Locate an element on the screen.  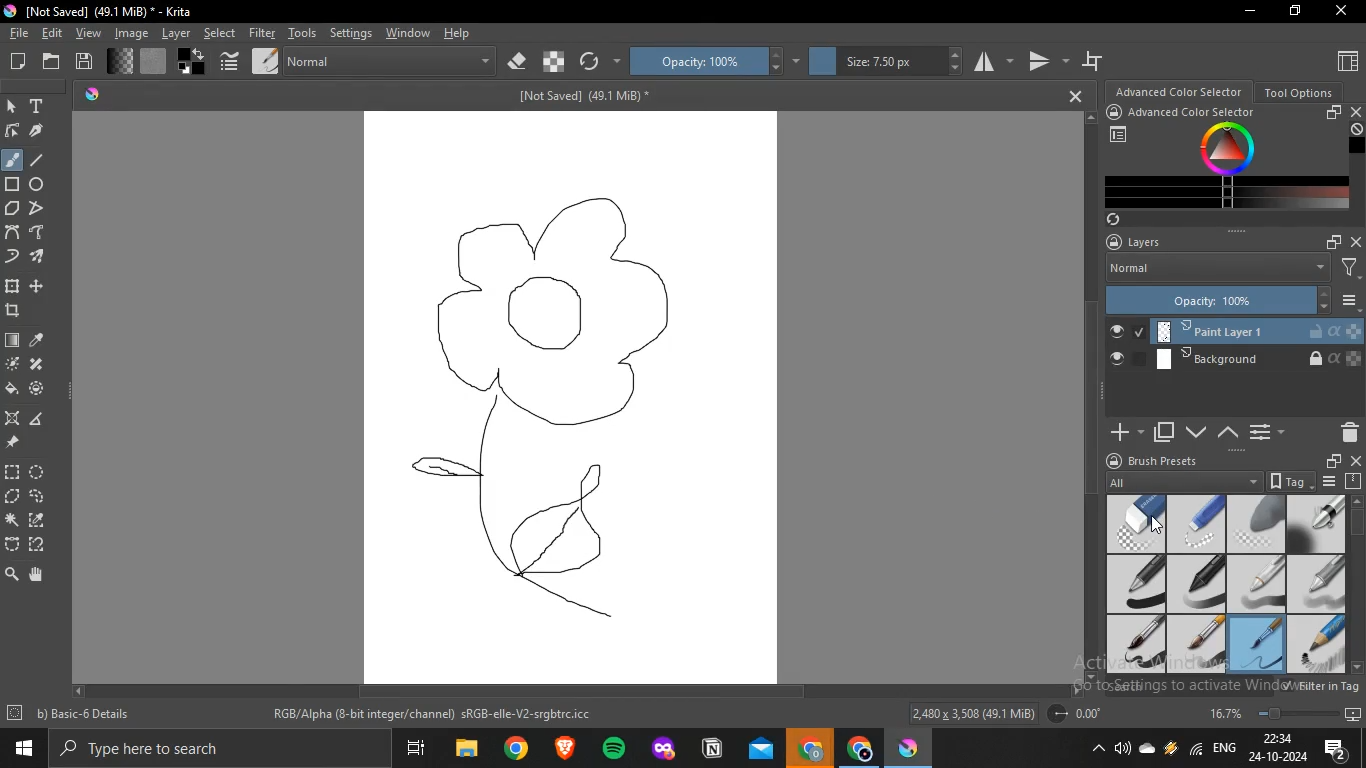
settings is located at coordinates (351, 34).